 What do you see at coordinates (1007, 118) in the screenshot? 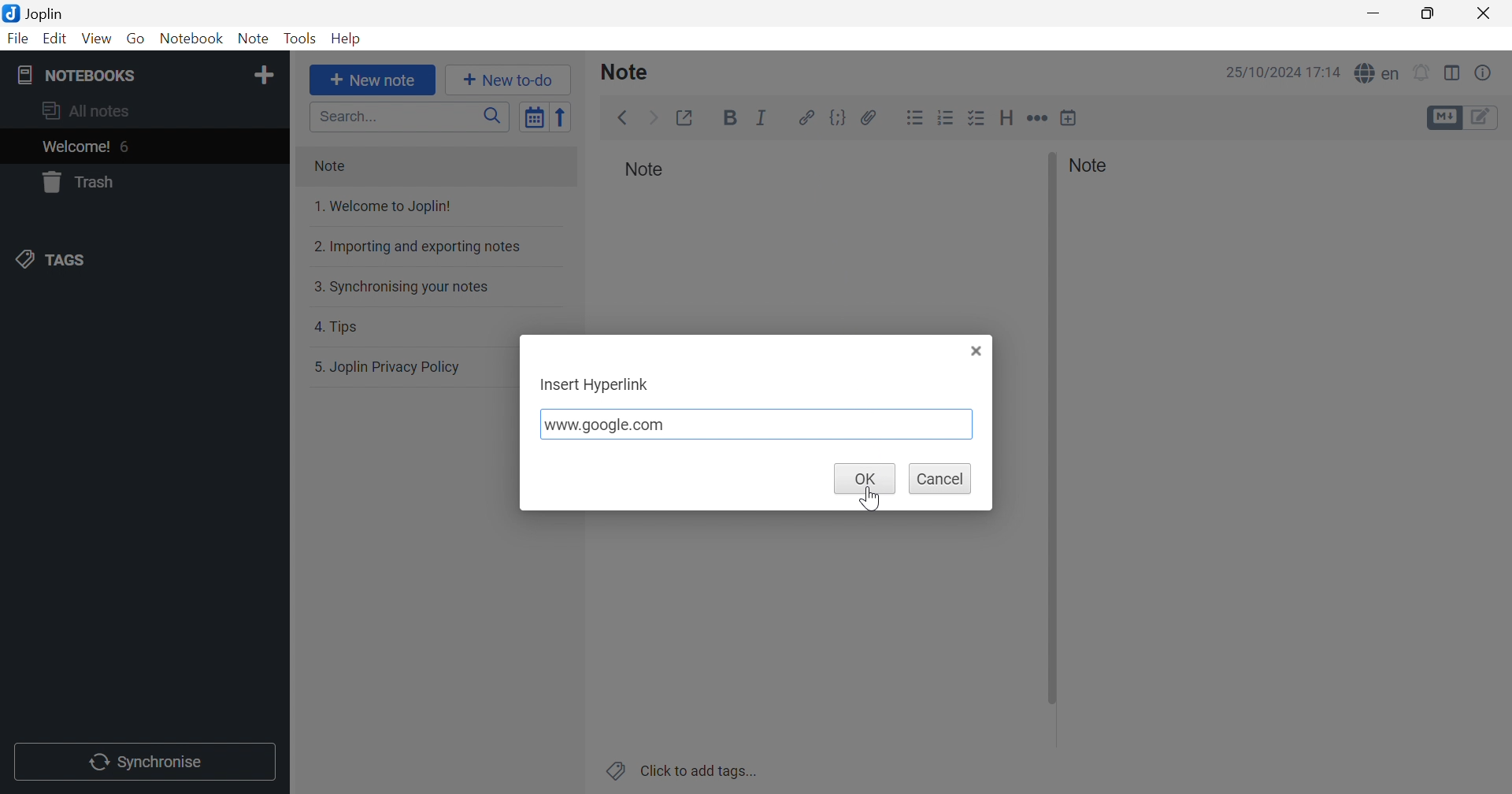
I see `Heading` at bounding box center [1007, 118].